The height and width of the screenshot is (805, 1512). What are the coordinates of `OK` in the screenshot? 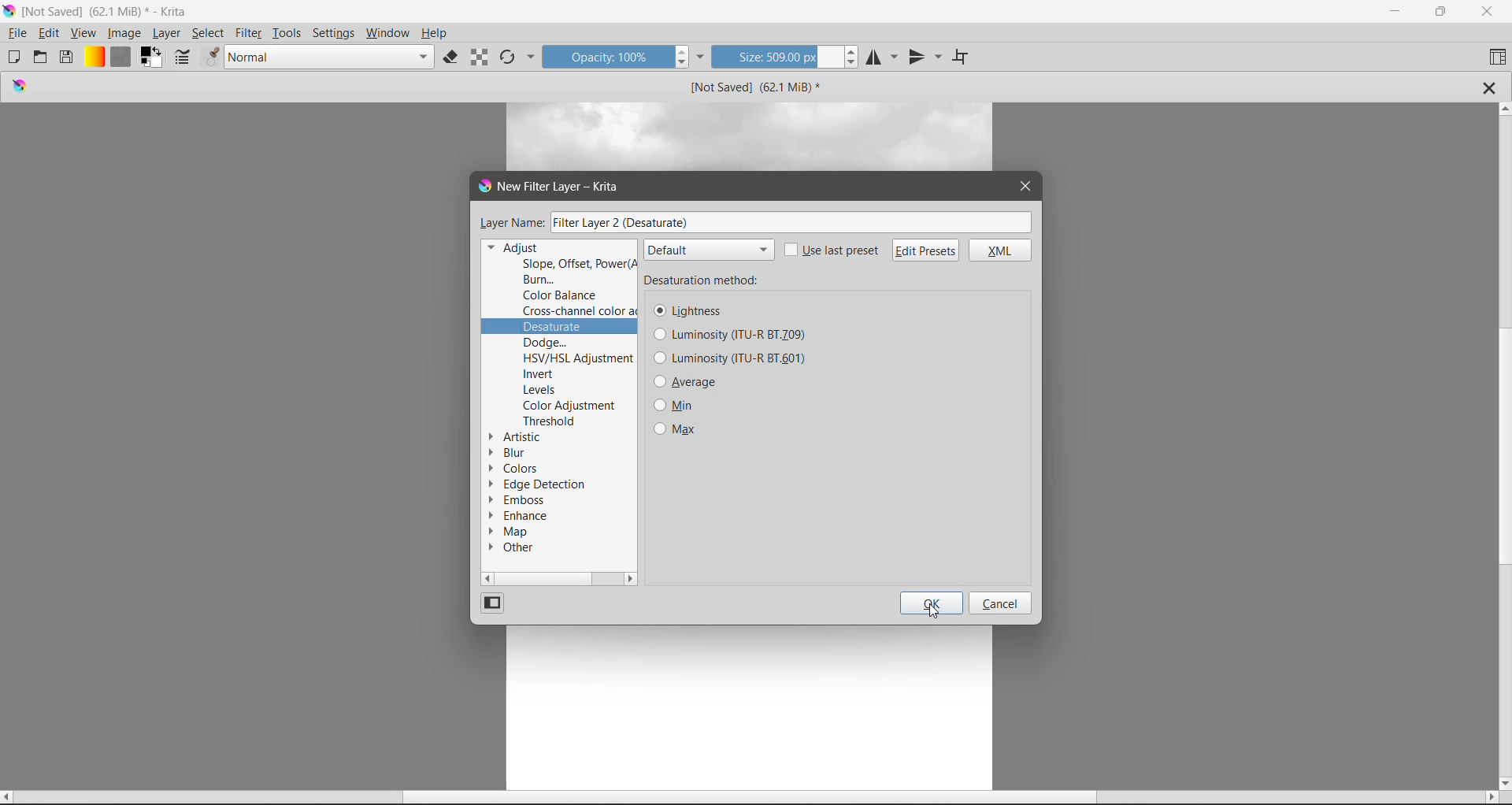 It's located at (932, 603).